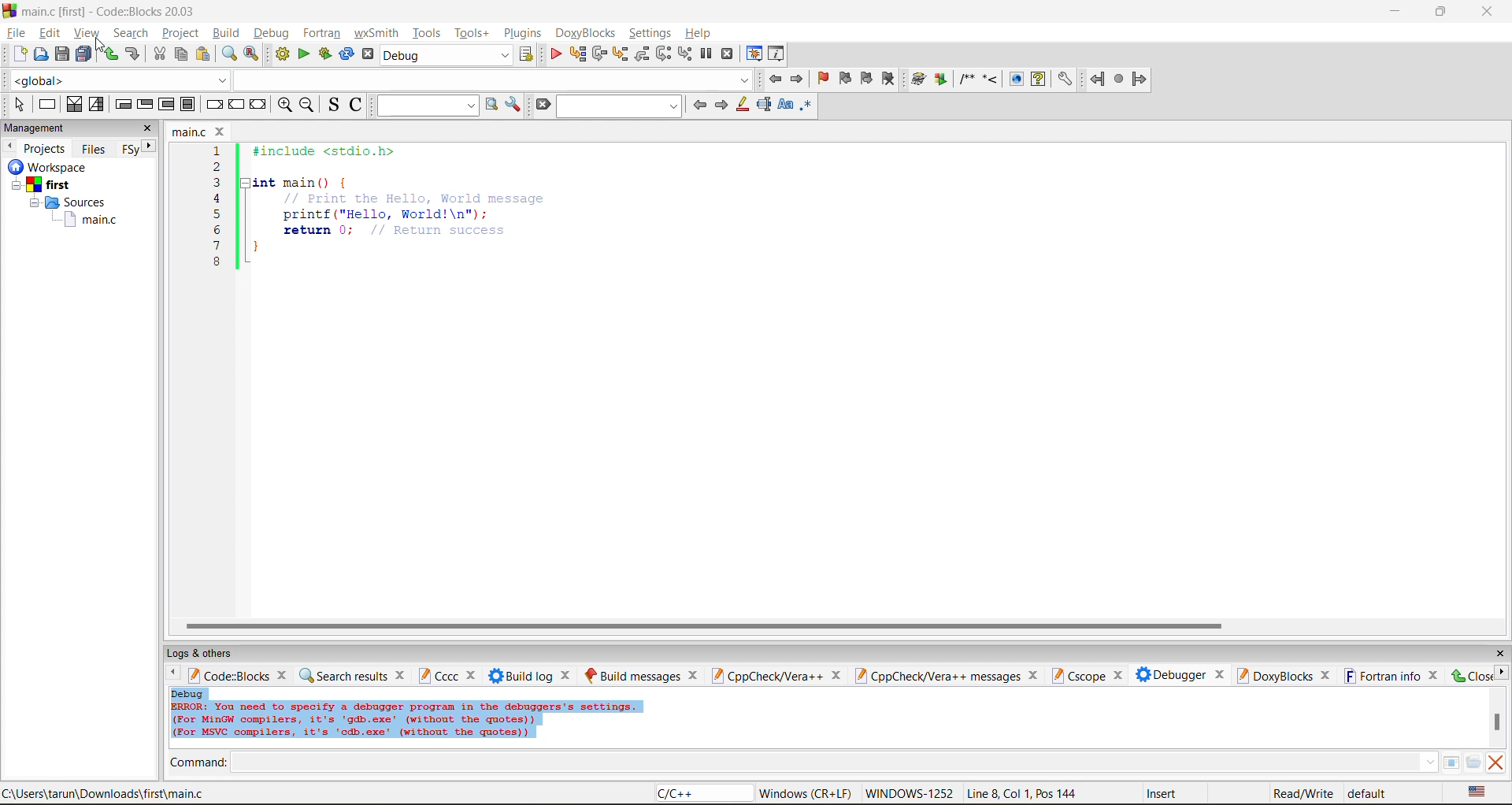 The image size is (1512, 805). What do you see at coordinates (797, 80) in the screenshot?
I see `jump forward` at bounding box center [797, 80].